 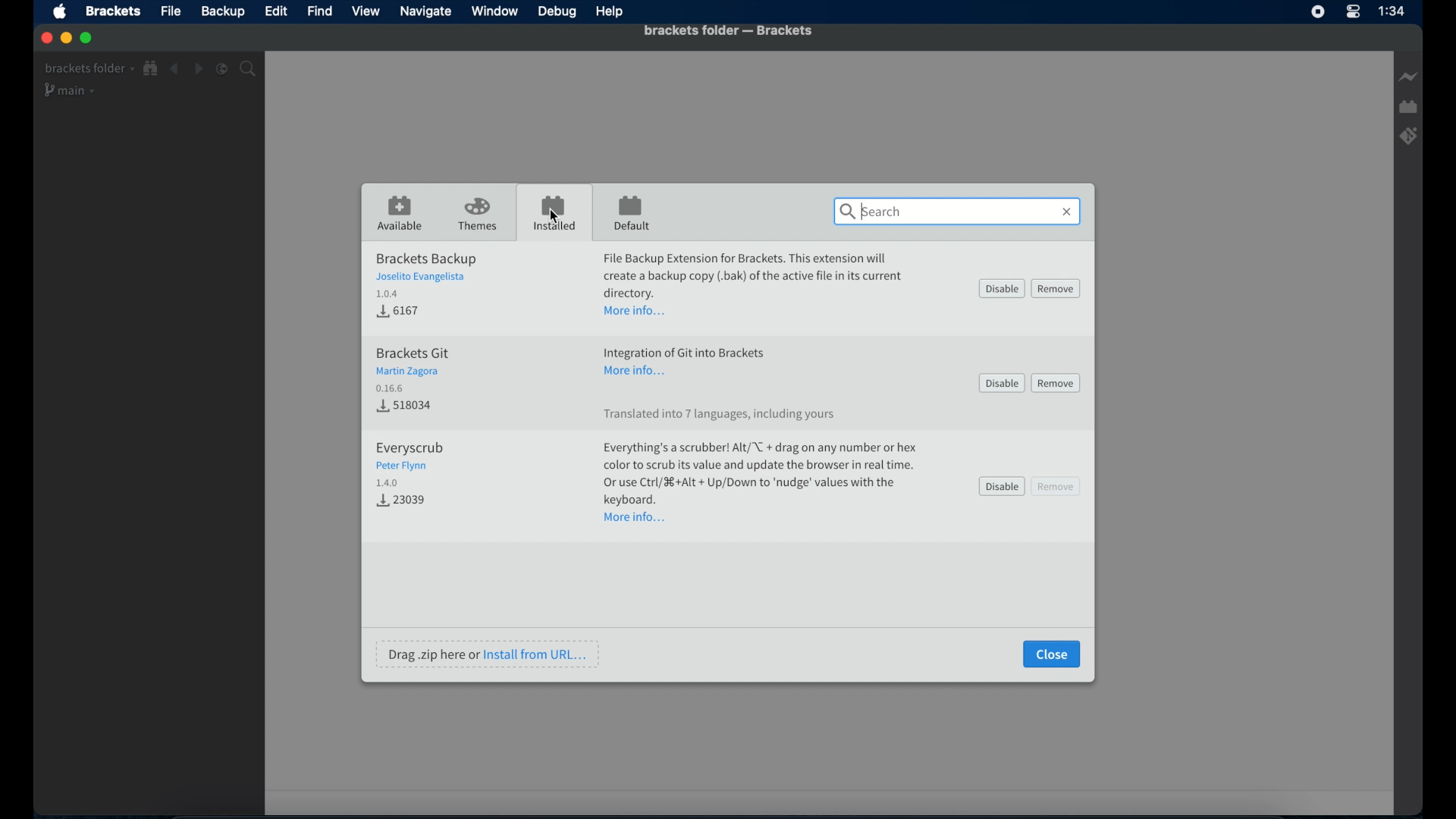 I want to click on remove, so click(x=1056, y=288).